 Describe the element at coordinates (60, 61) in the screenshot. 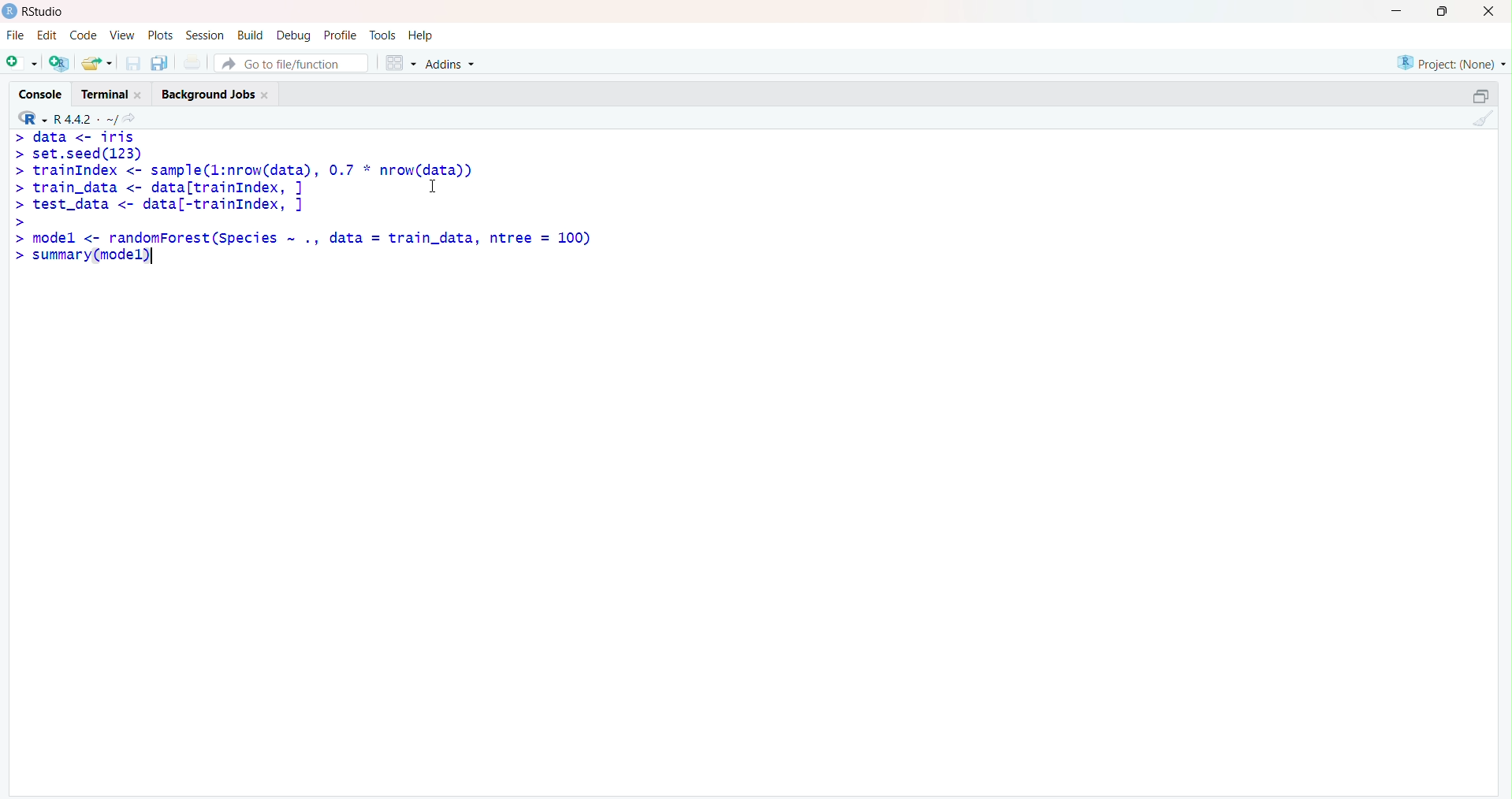

I see `Create a project` at that location.